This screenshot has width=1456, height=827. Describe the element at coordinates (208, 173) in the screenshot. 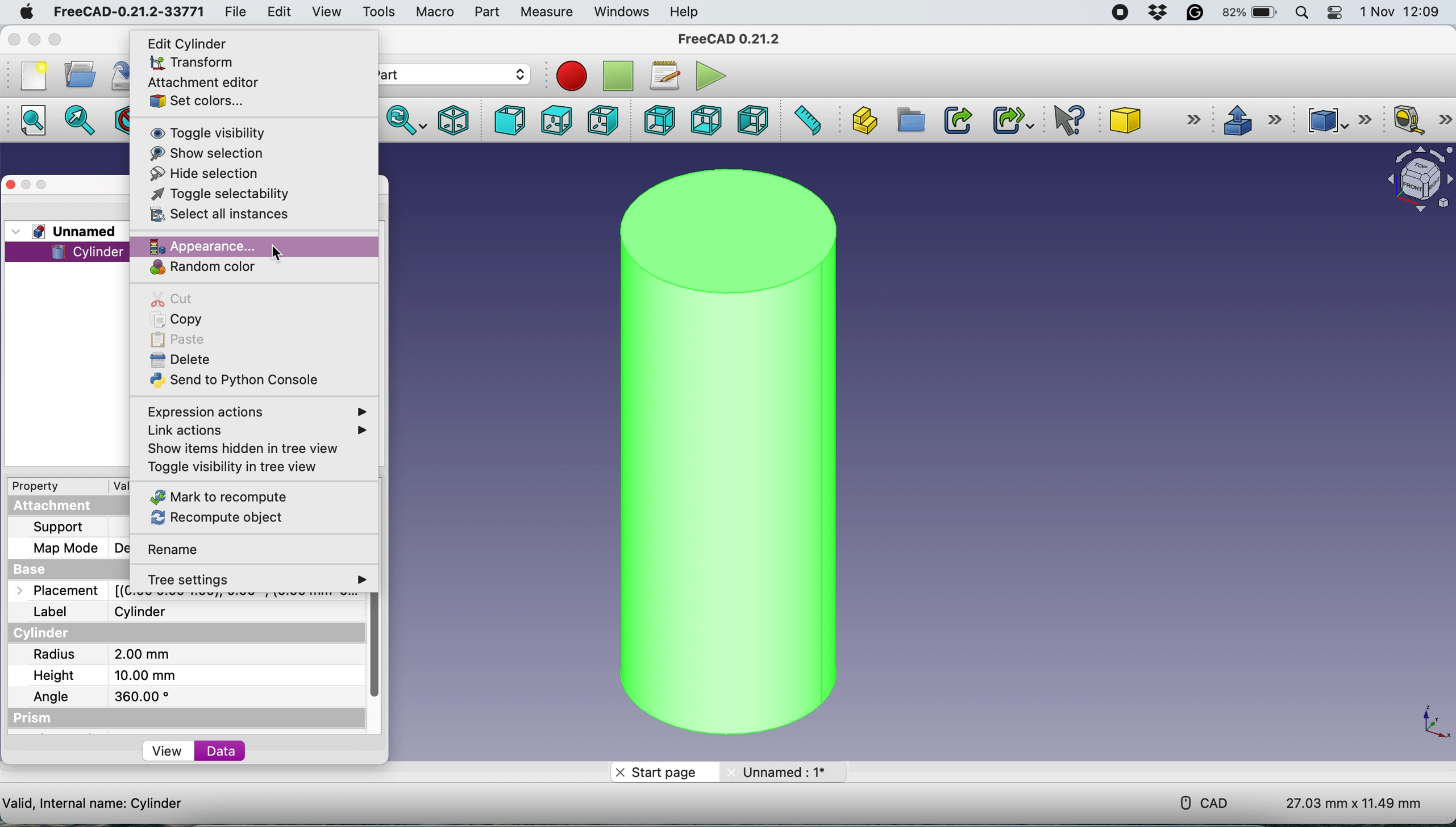

I see `hide selection` at that location.